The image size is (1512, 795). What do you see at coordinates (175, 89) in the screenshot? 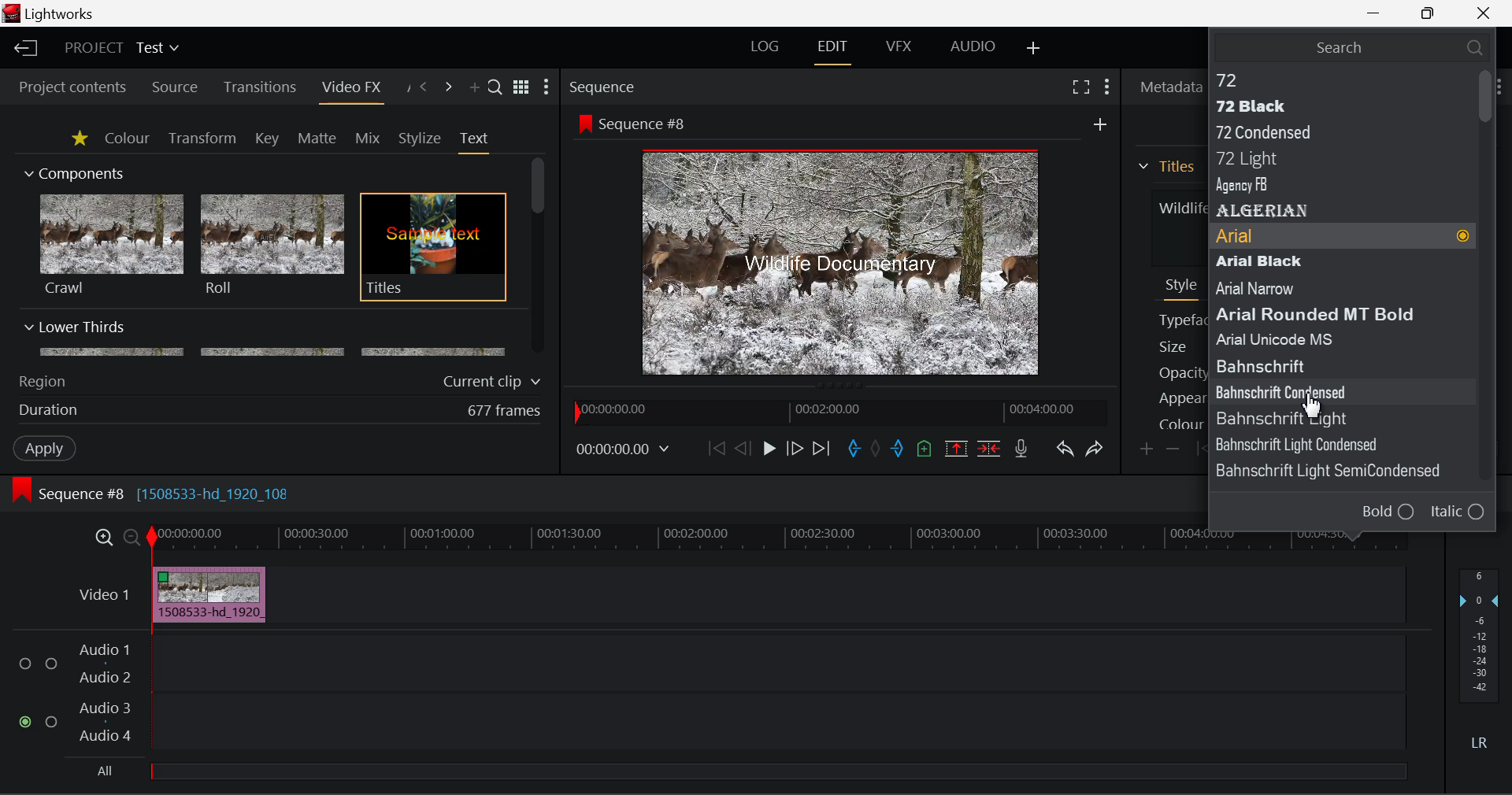
I see `Source` at bounding box center [175, 89].